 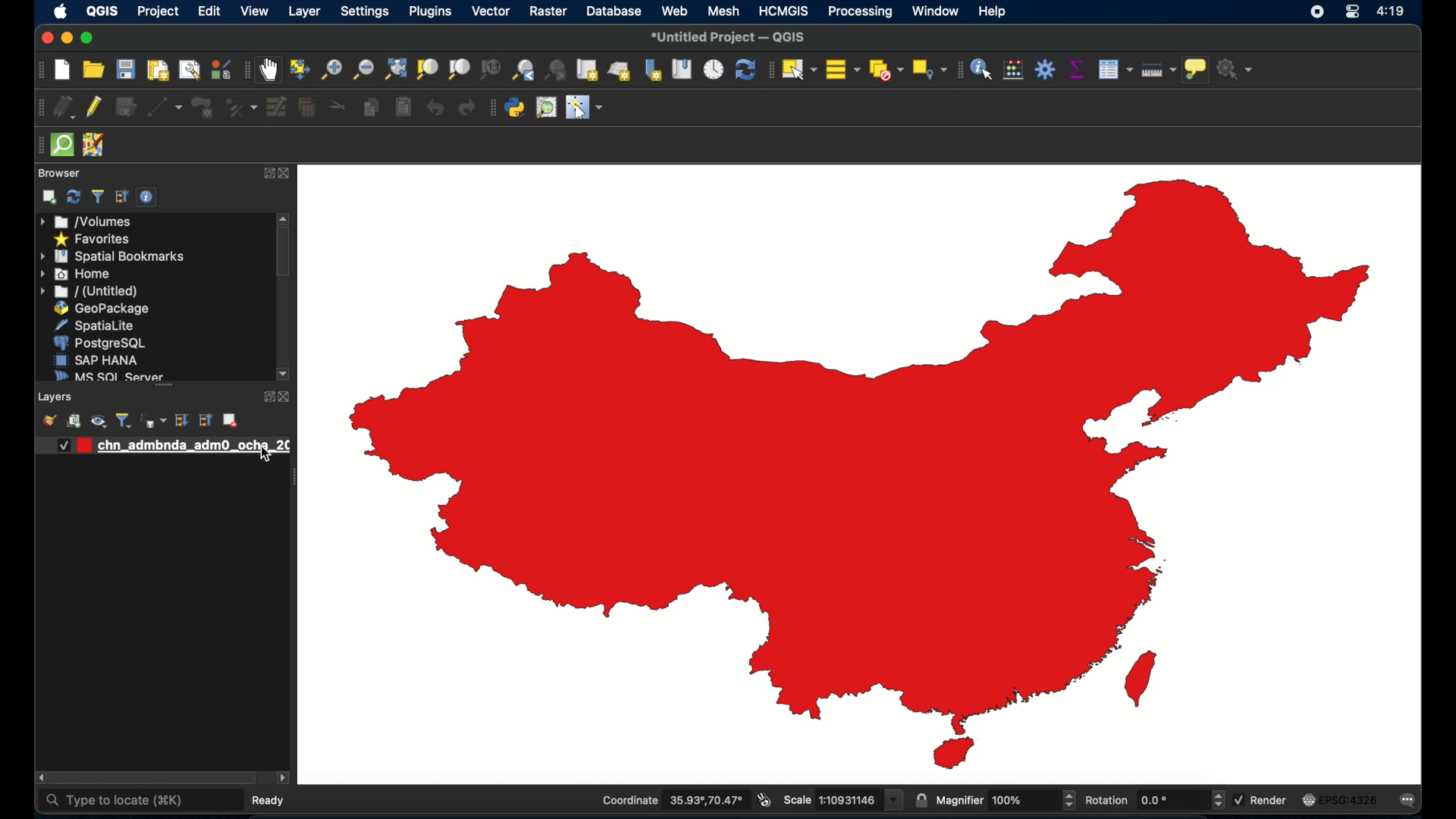 I want to click on undo, so click(x=434, y=107).